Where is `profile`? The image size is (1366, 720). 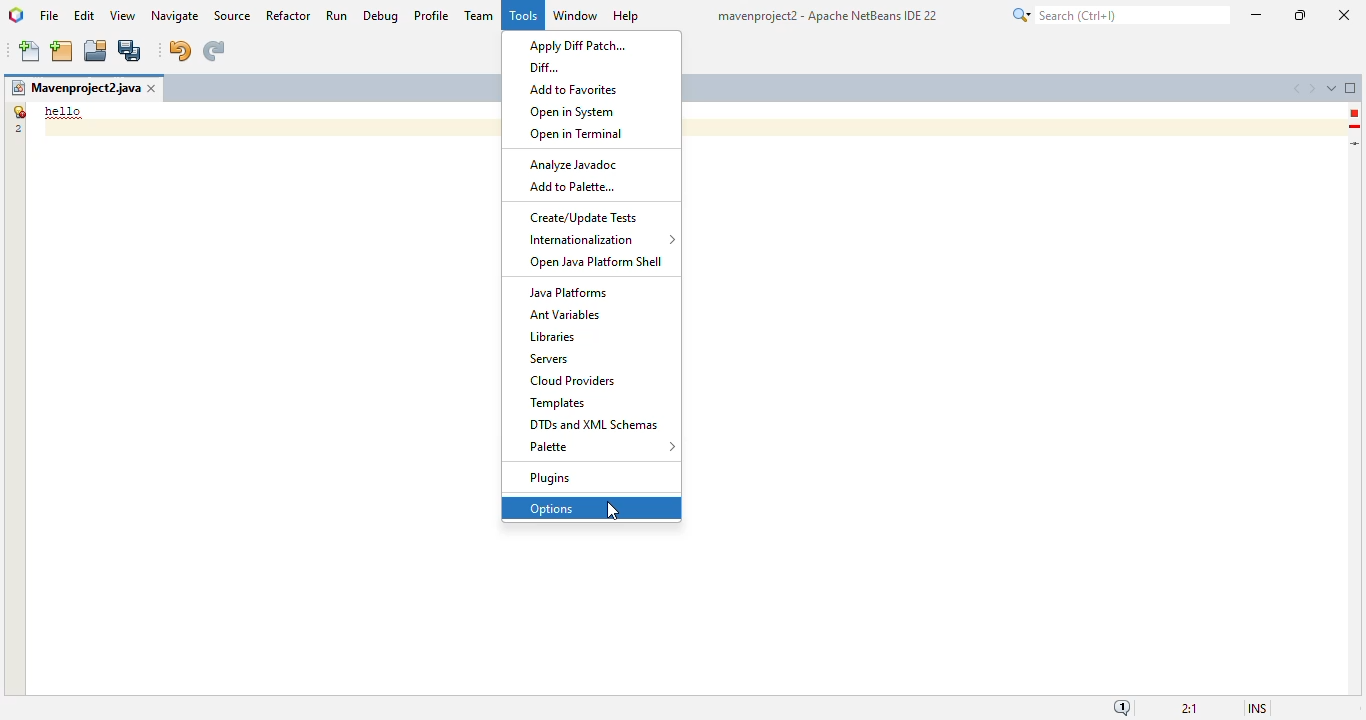 profile is located at coordinates (433, 15).